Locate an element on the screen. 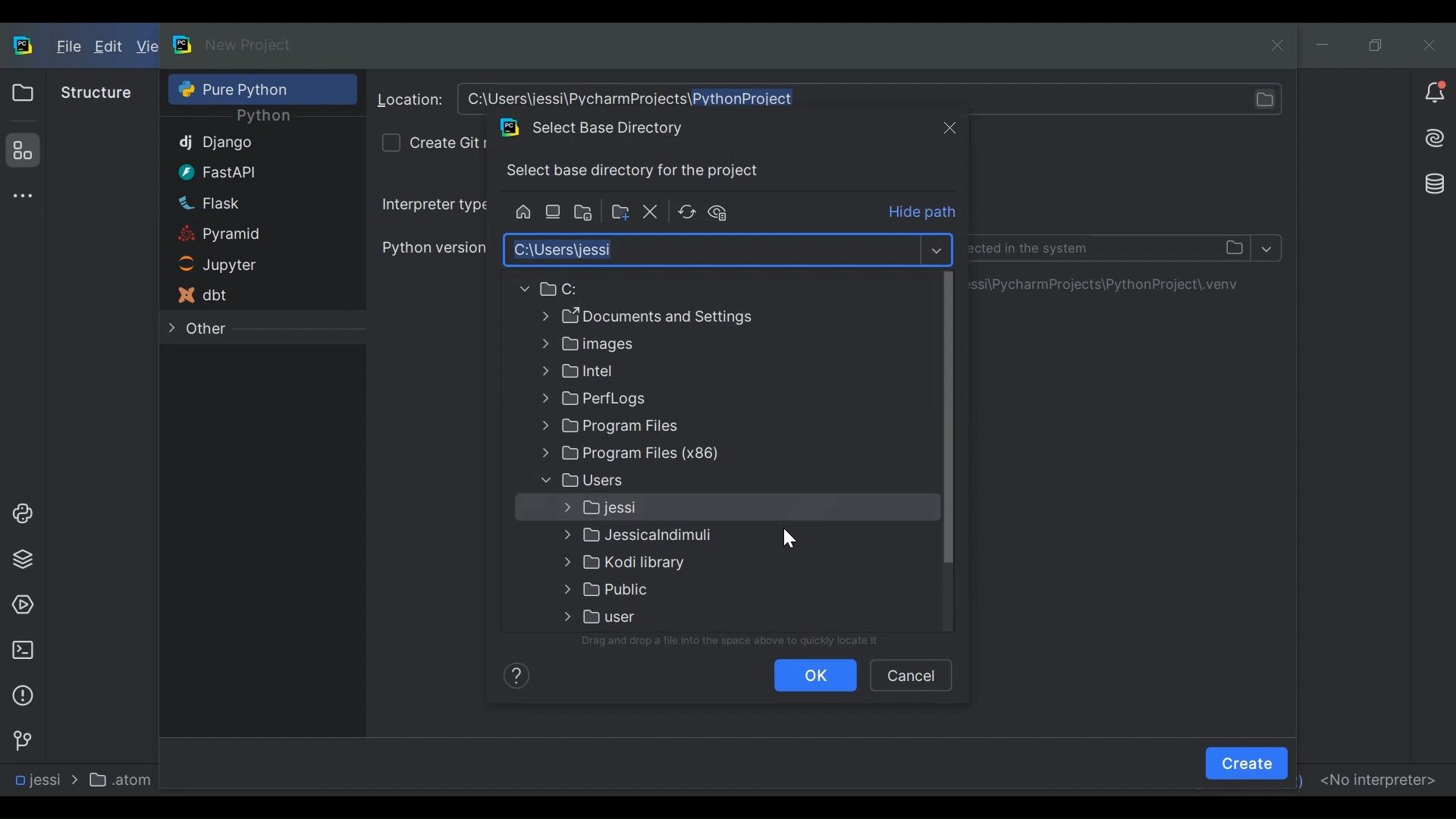 The width and height of the screenshot is (1456, 819). Vertical Scroll bar is located at coordinates (948, 418).